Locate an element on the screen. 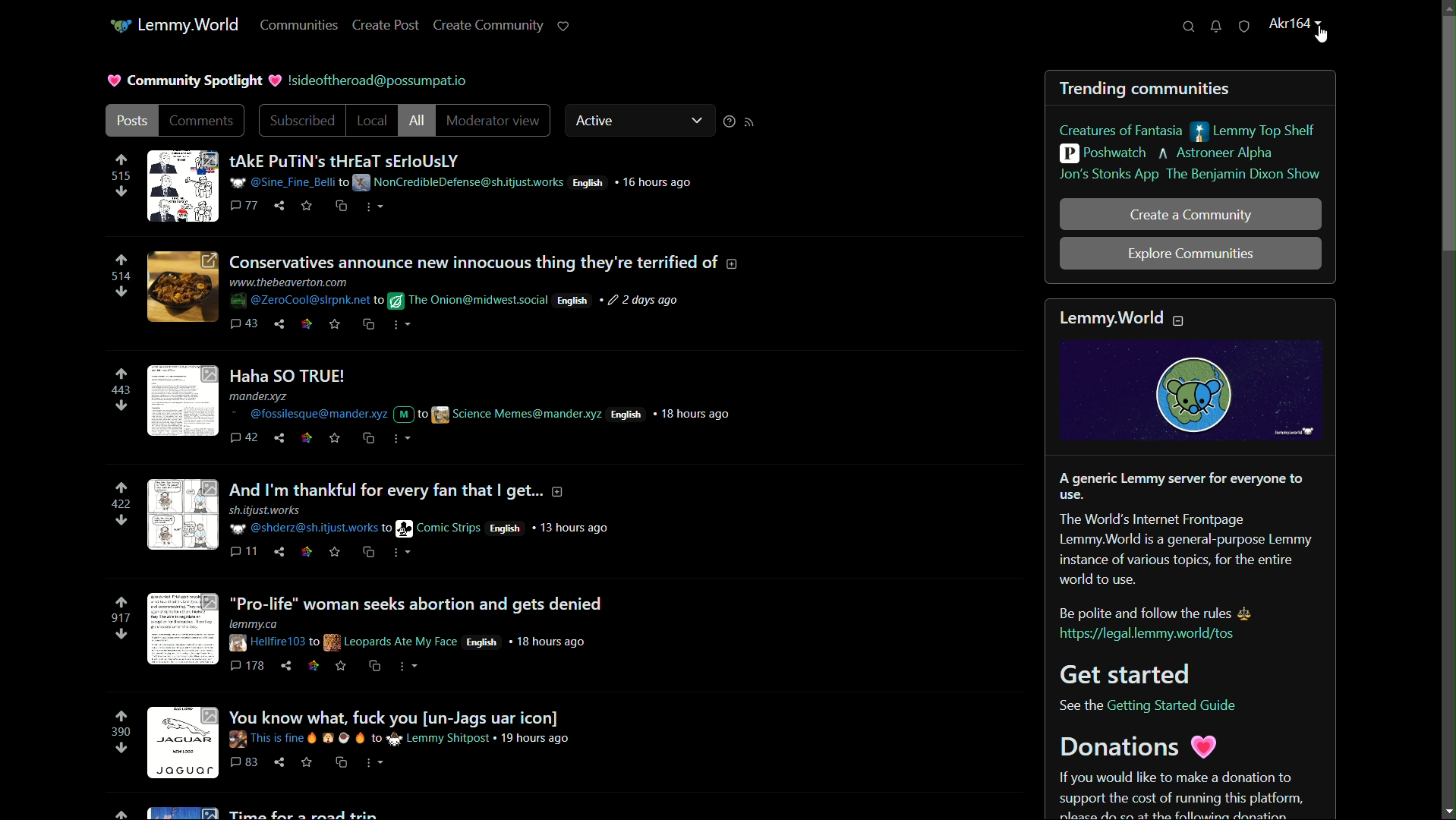 The width and height of the screenshot is (1456, 820). cursor is located at coordinates (1319, 39).